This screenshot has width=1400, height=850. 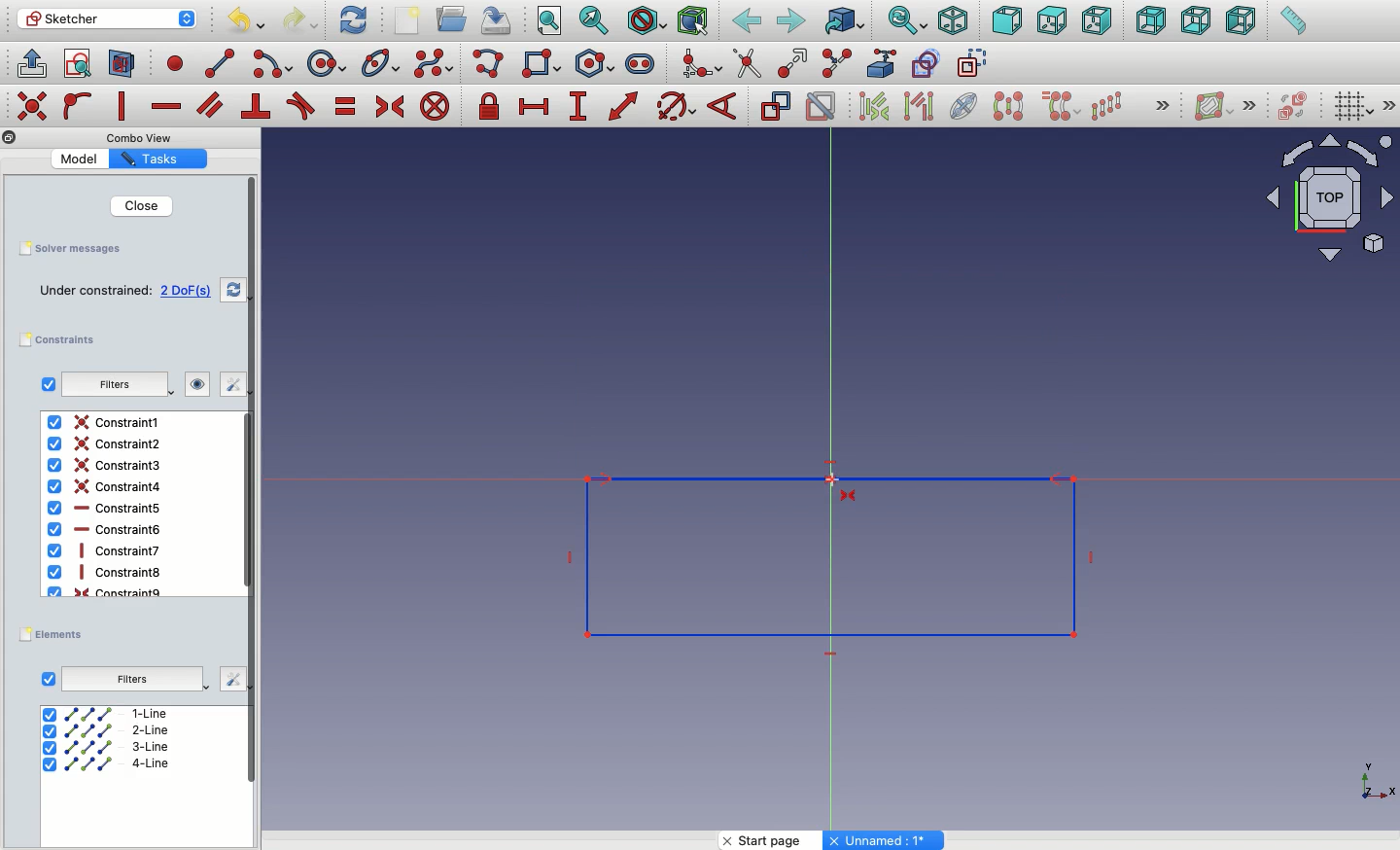 What do you see at coordinates (1374, 775) in the screenshot?
I see `Axis` at bounding box center [1374, 775].